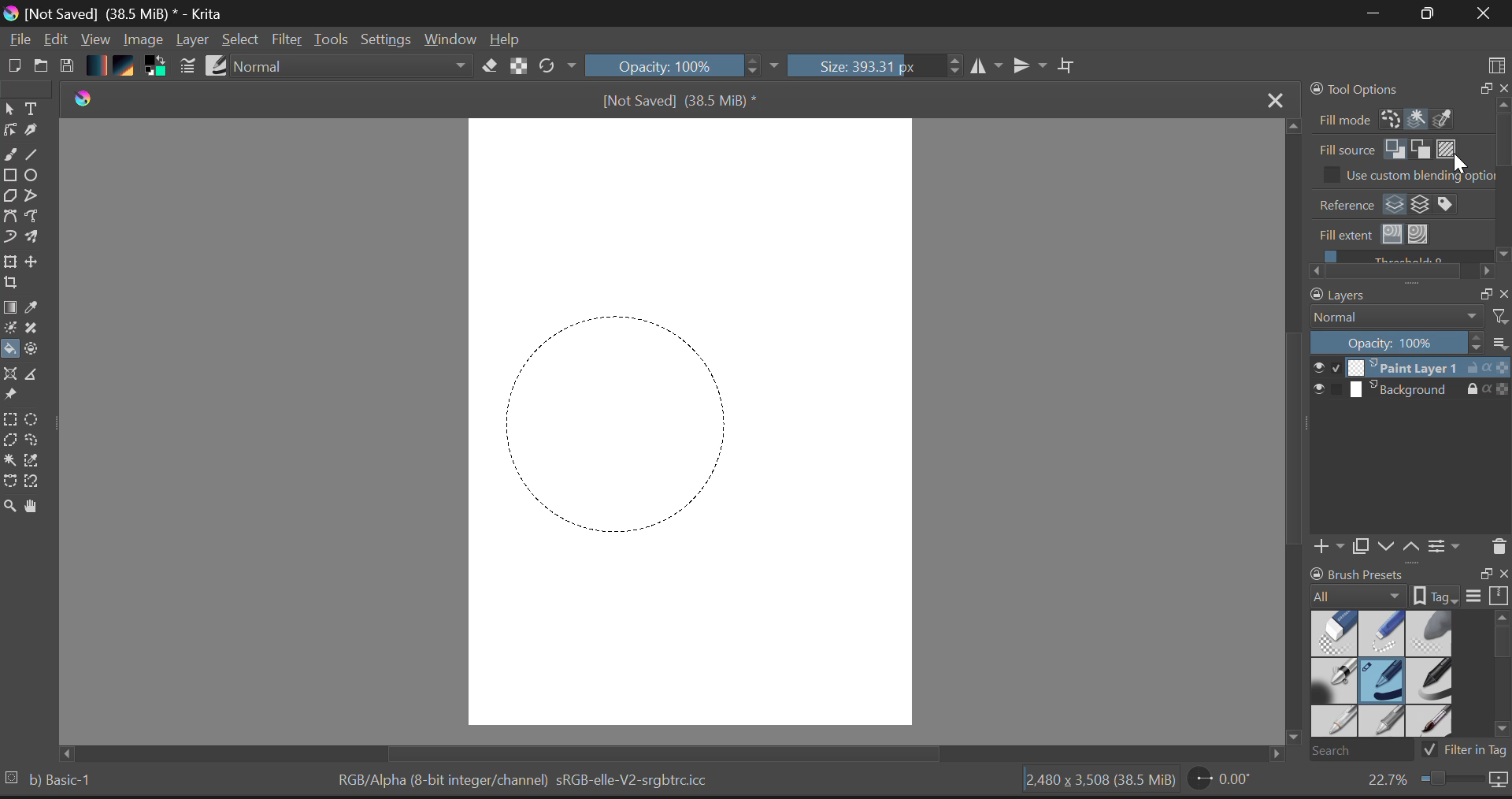 The width and height of the screenshot is (1512, 799). Describe the element at coordinates (1291, 440) in the screenshot. I see `Scroll Bar` at that location.